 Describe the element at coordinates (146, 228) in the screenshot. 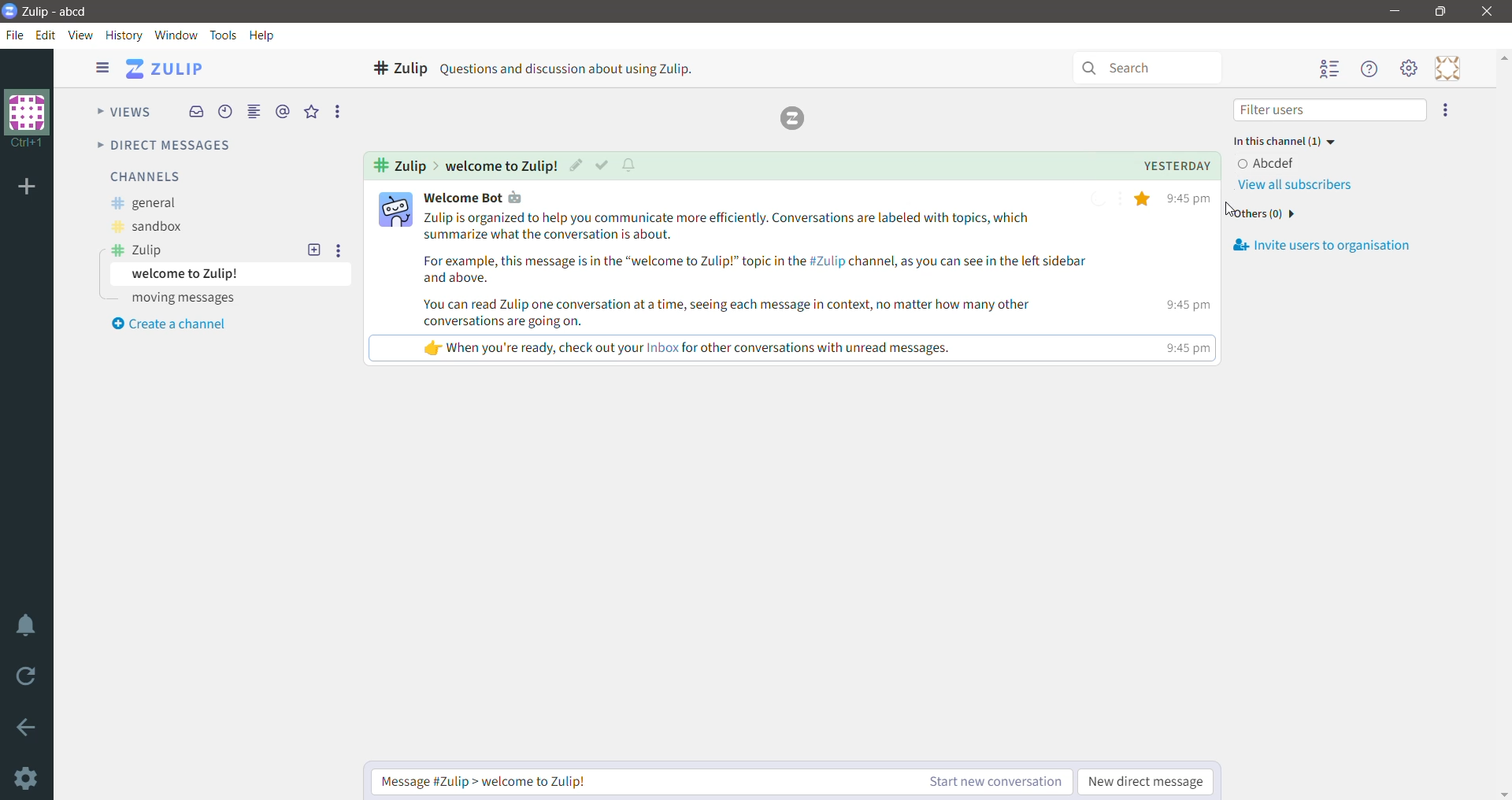

I see `sandbox` at that location.